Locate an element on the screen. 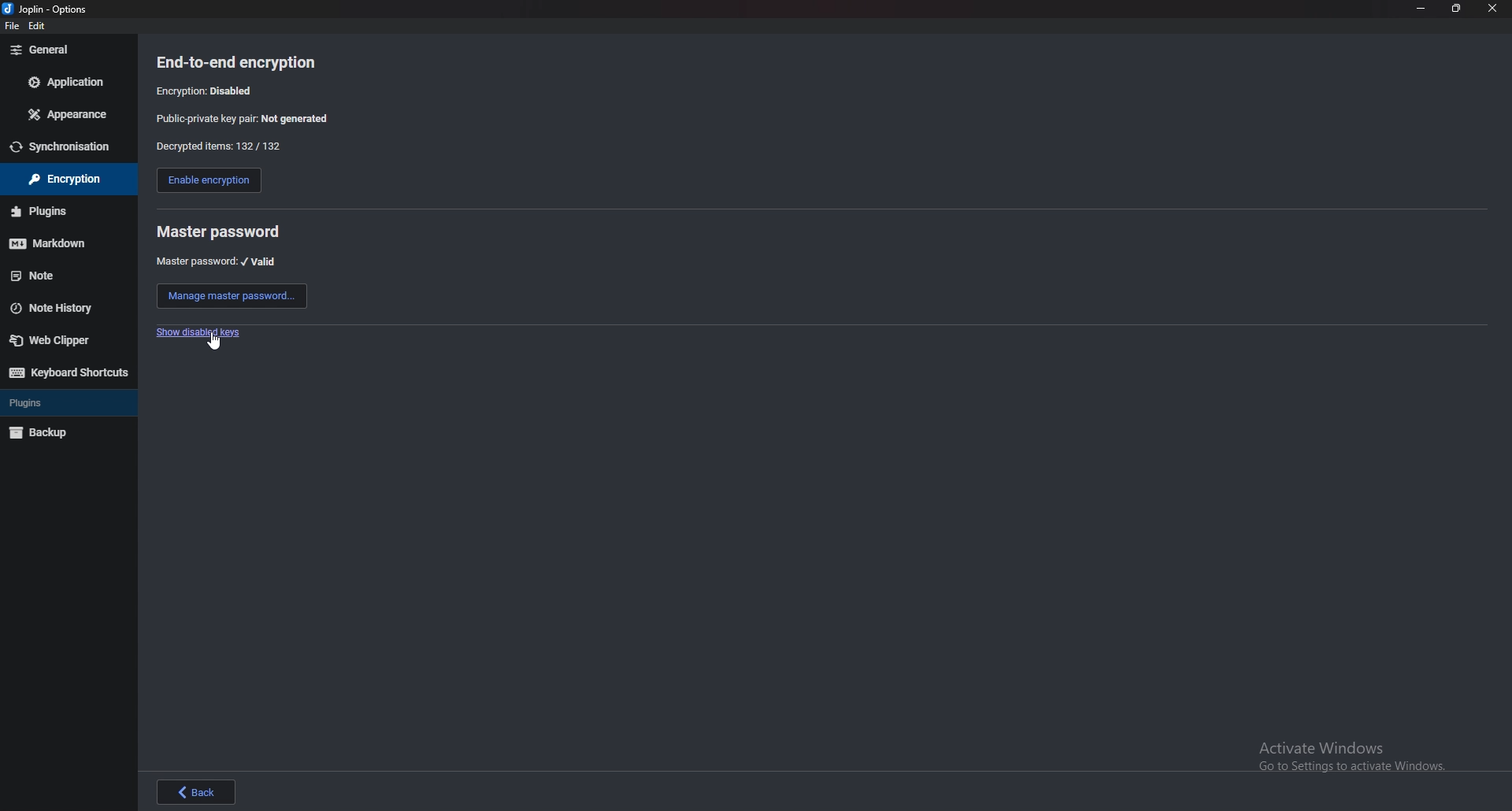 This screenshot has height=811, width=1512. resize is located at coordinates (1456, 9).